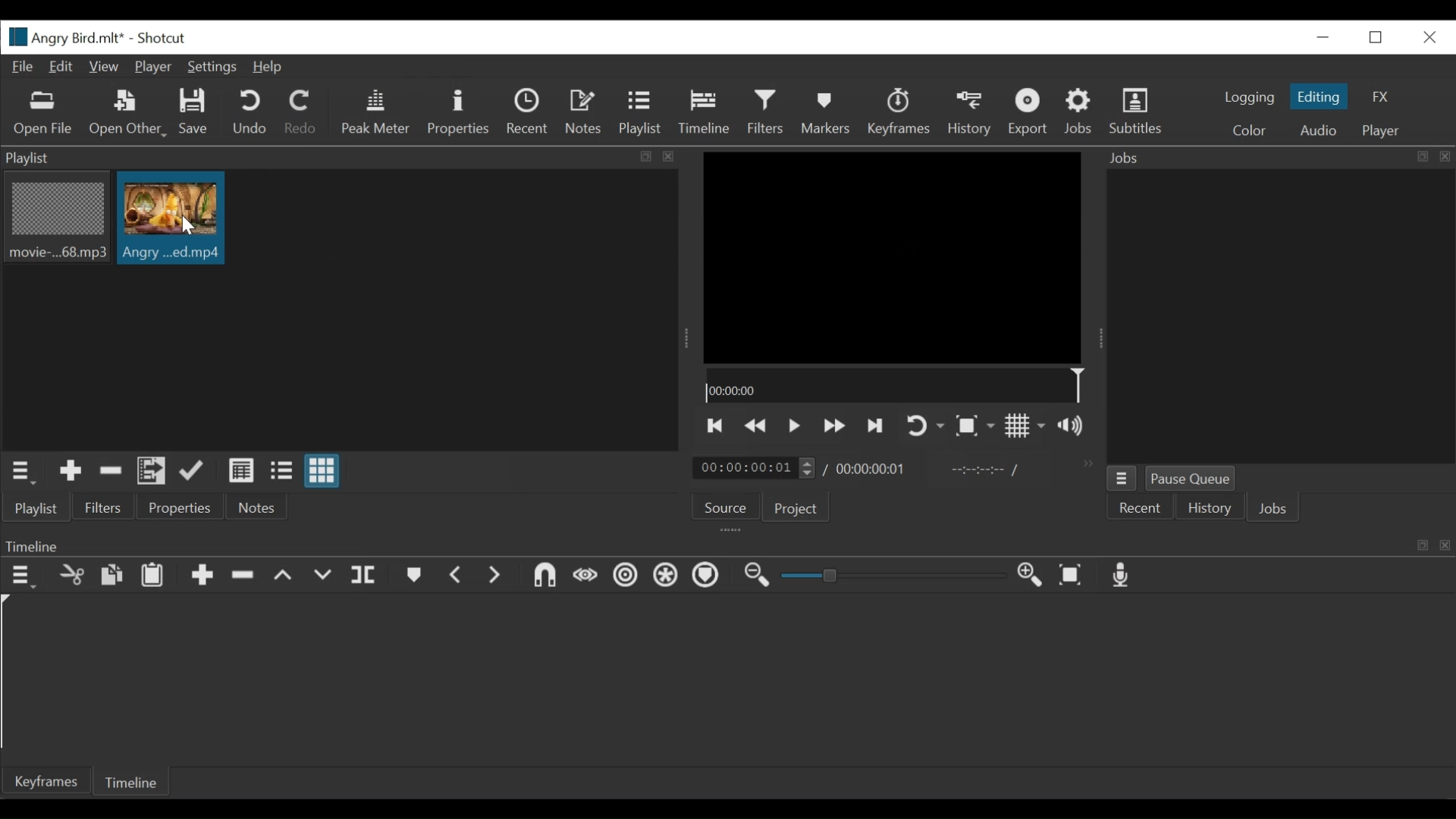 Image resolution: width=1456 pixels, height=819 pixels. I want to click on Source, so click(726, 505).